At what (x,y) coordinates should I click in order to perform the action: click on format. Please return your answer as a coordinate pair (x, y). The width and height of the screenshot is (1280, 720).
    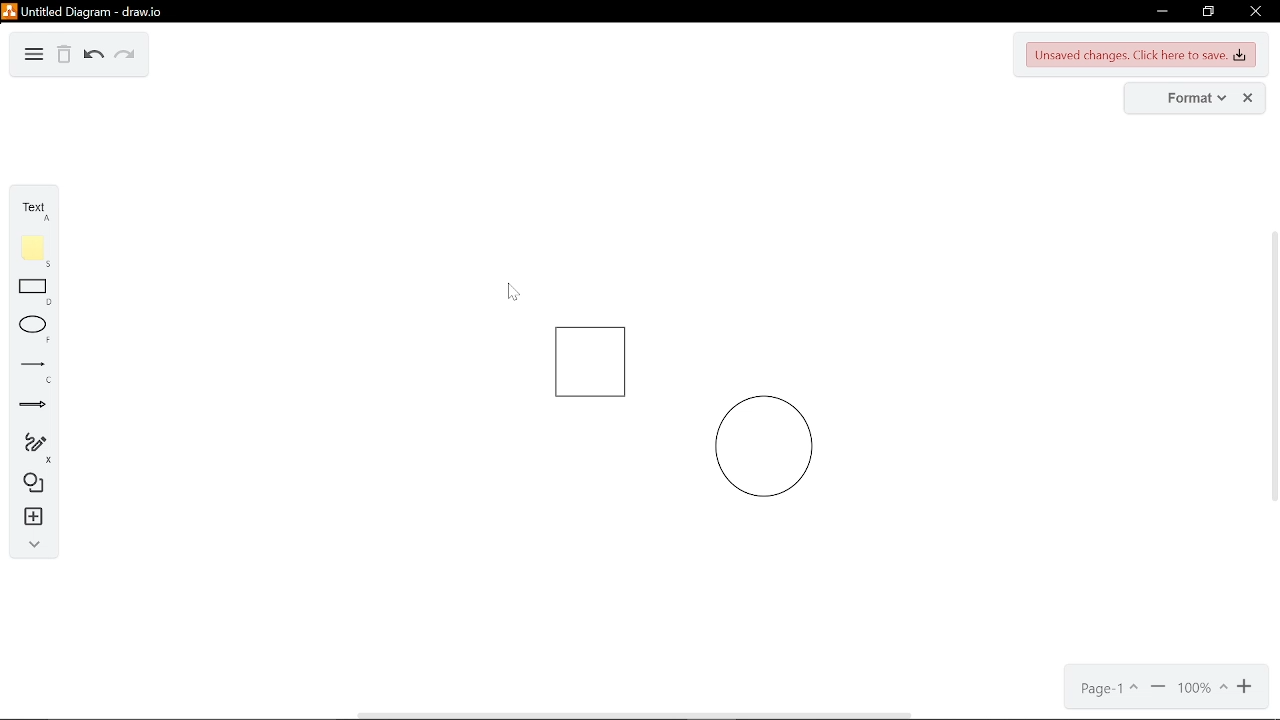
    Looking at the image, I should click on (1184, 98).